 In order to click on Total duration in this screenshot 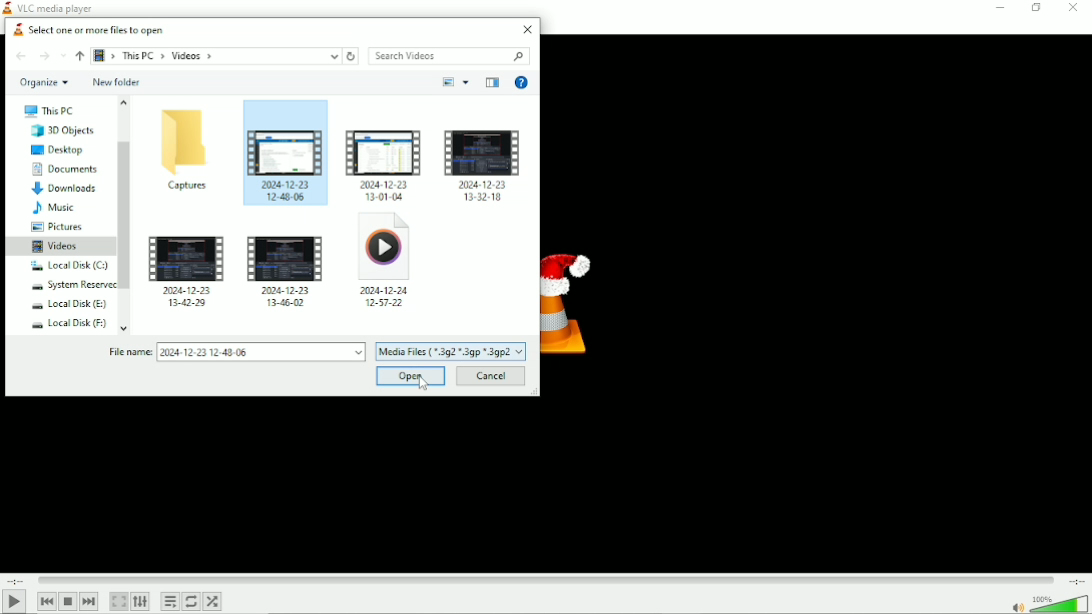, I will do `click(1076, 581)`.